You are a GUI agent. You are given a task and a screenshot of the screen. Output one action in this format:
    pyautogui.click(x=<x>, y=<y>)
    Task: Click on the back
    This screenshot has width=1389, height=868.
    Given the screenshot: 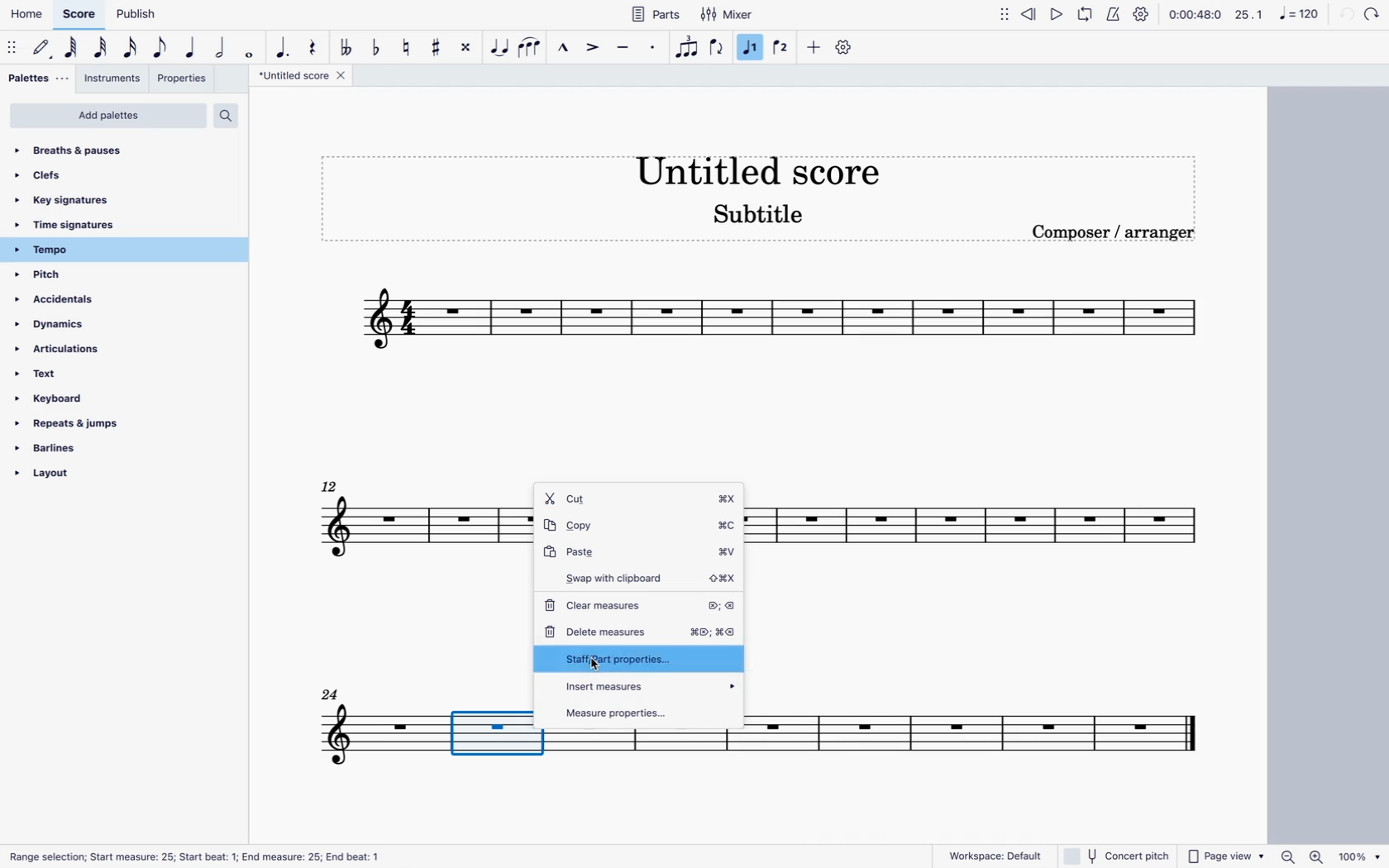 What is the action you would take?
    pyautogui.click(x=1344, y=14)
    